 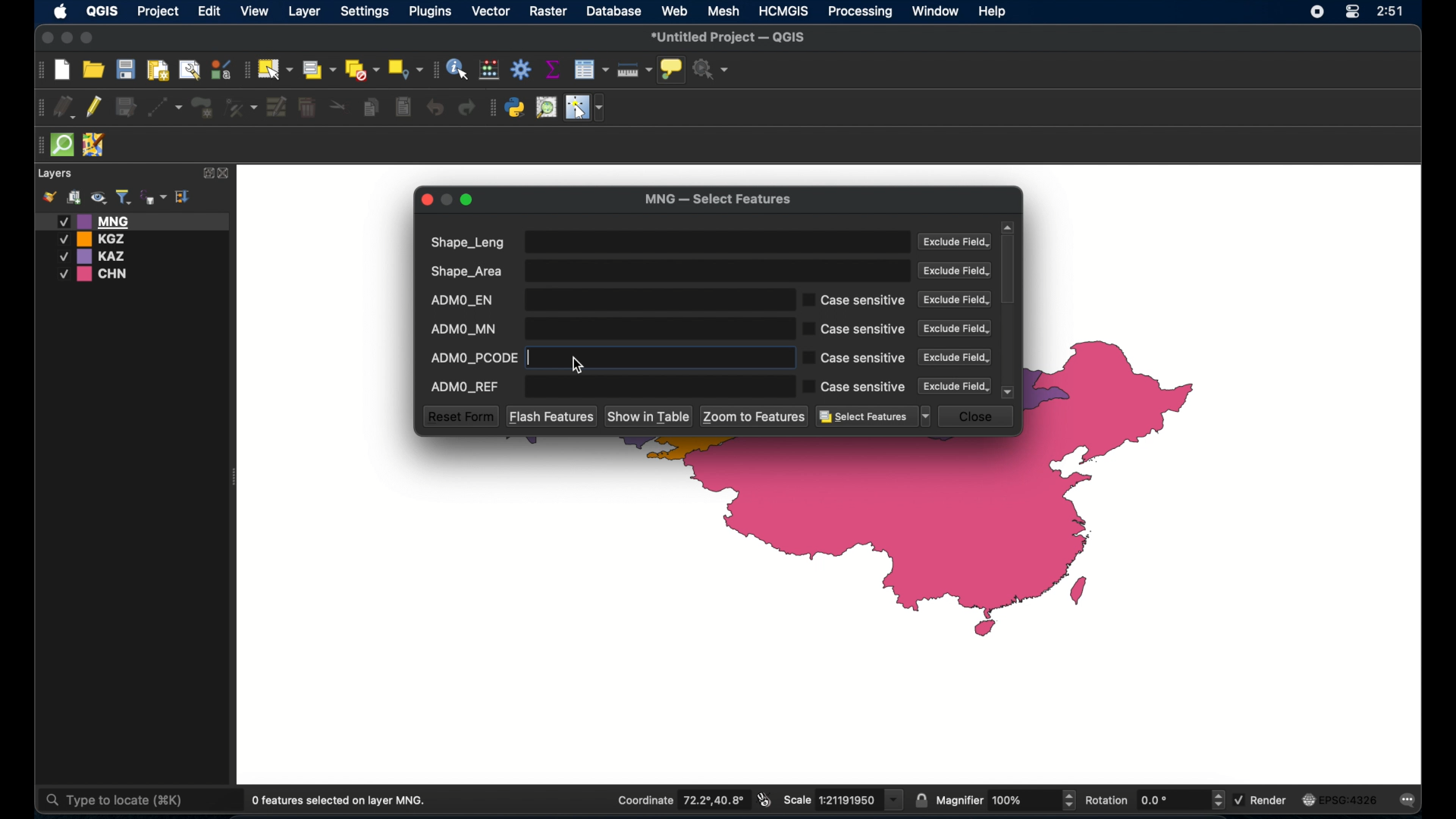 I want to click on MNG - Select features, so click(x=718, y=200).